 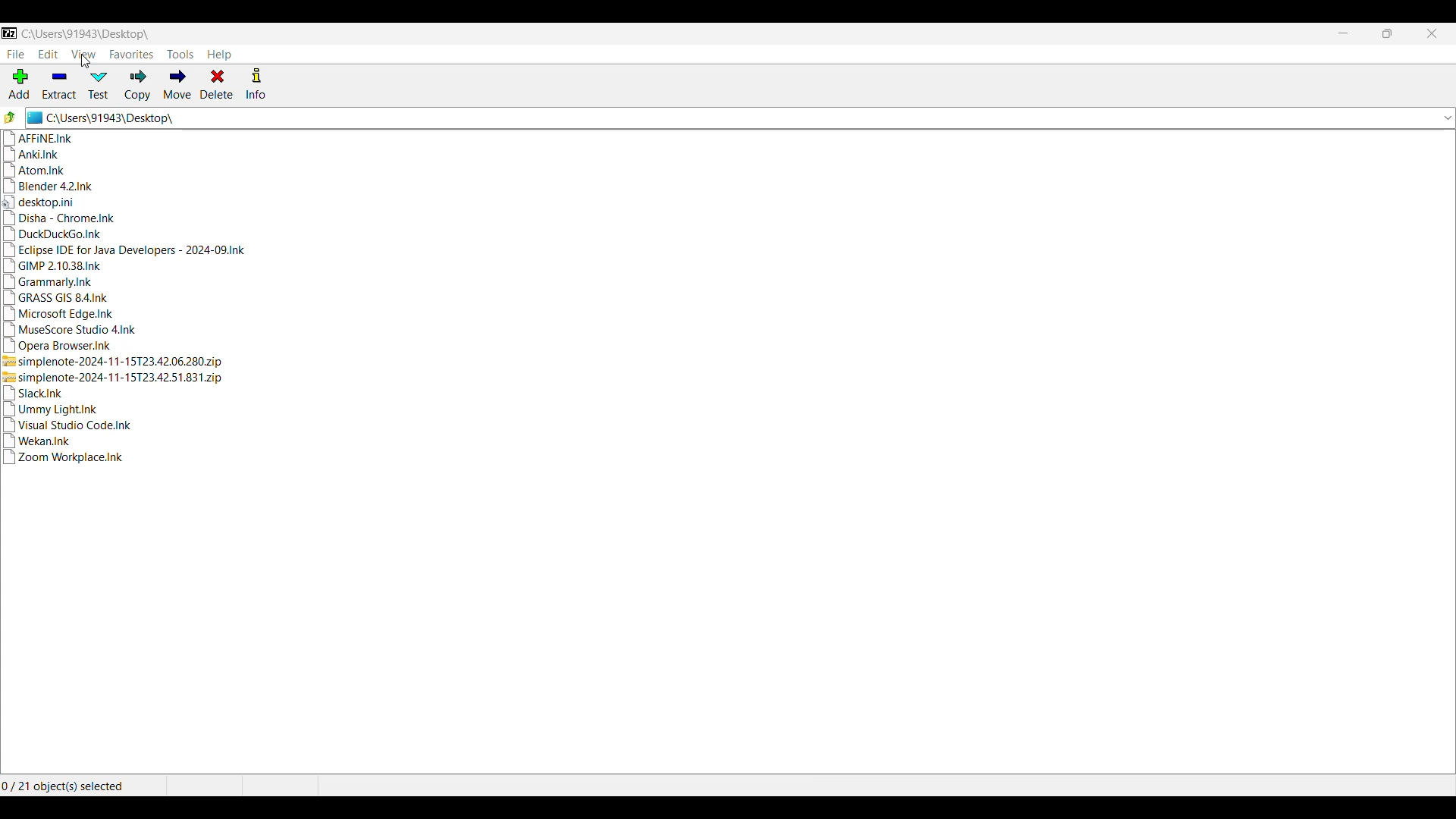 I want to click on Minimize, so click(x=1343, y=33).